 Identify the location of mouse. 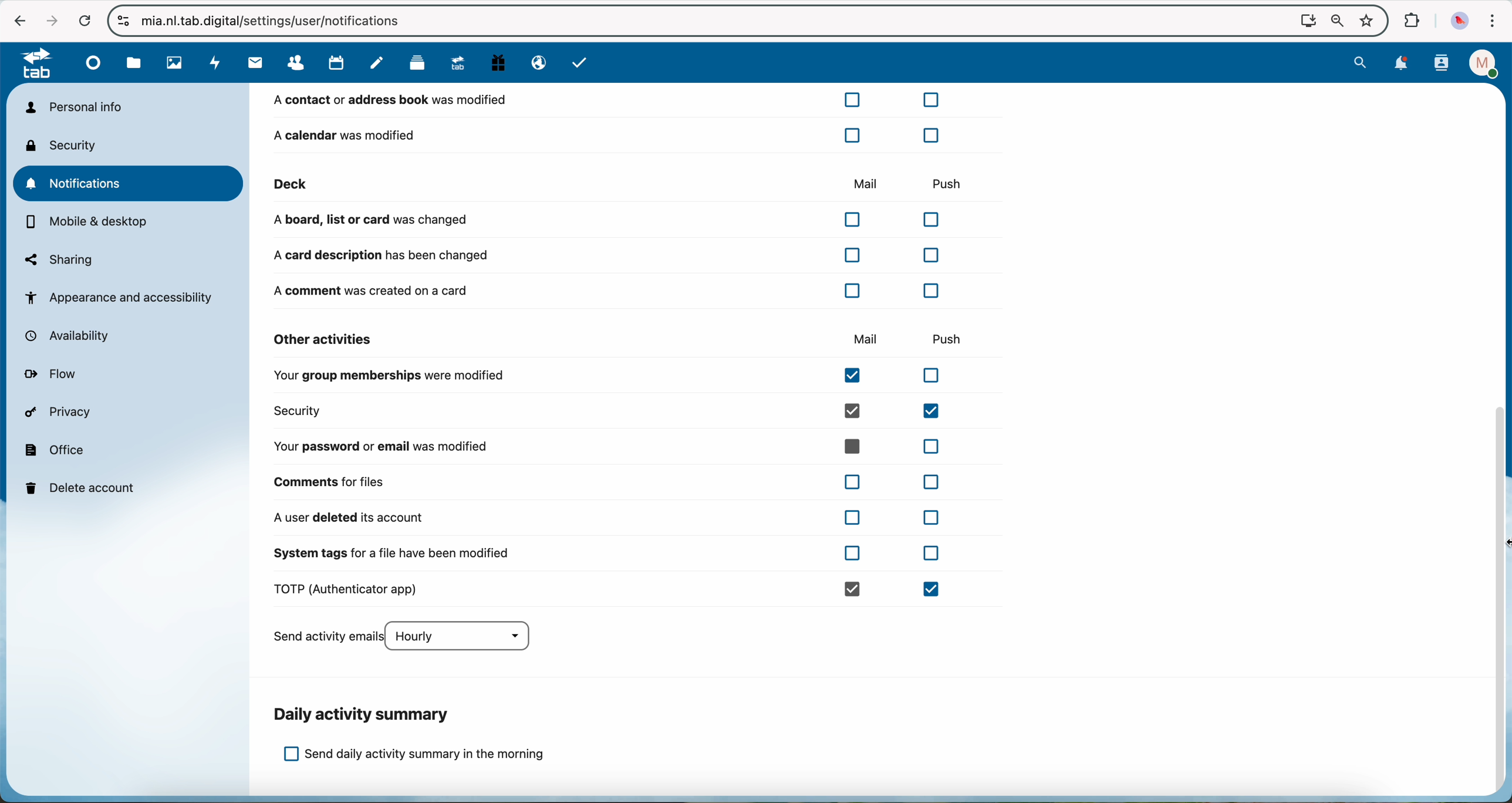
(1498, 542).